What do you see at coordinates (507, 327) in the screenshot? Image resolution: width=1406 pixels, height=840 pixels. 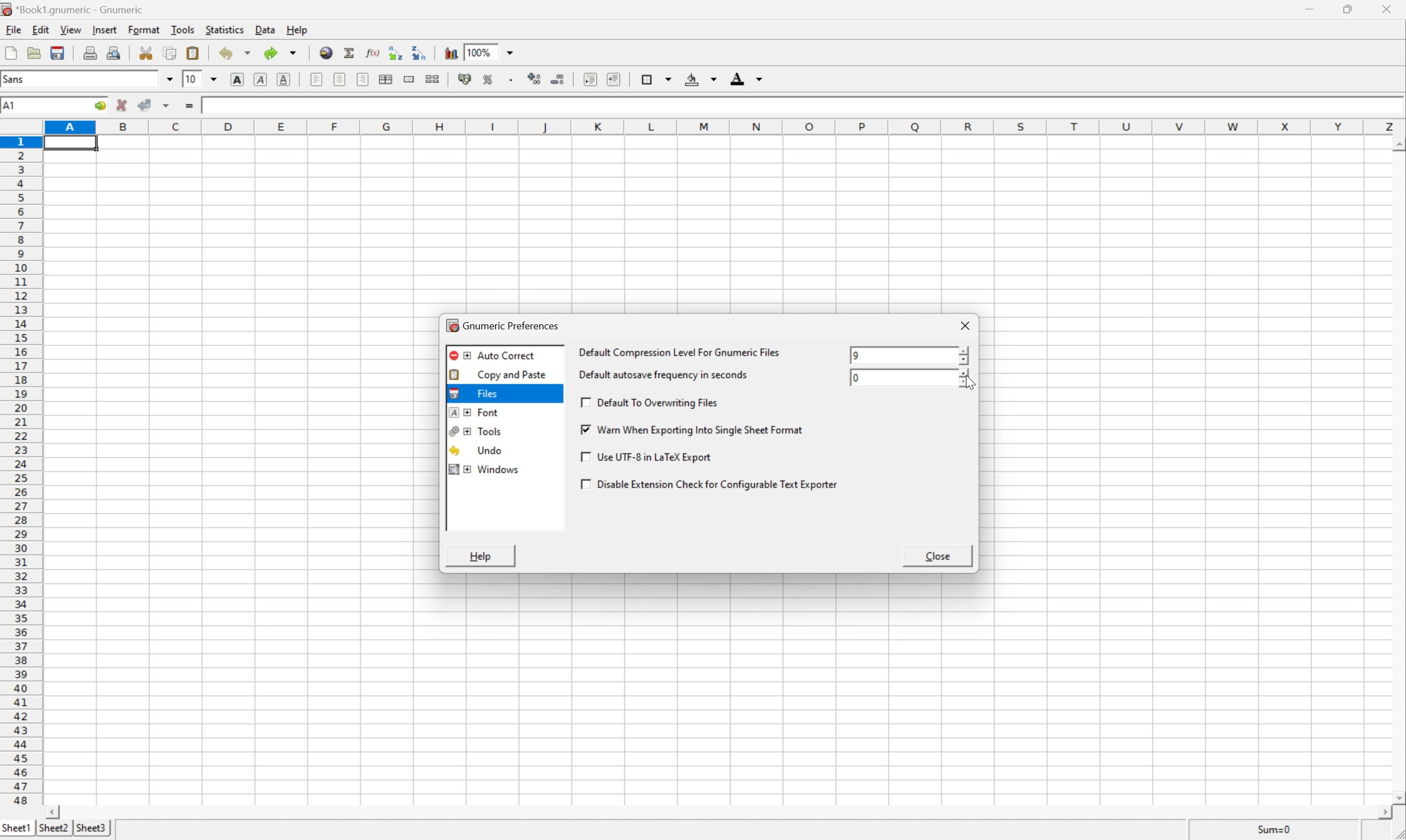 I see `gnumeric preferences` at bounding box center [507, 327].